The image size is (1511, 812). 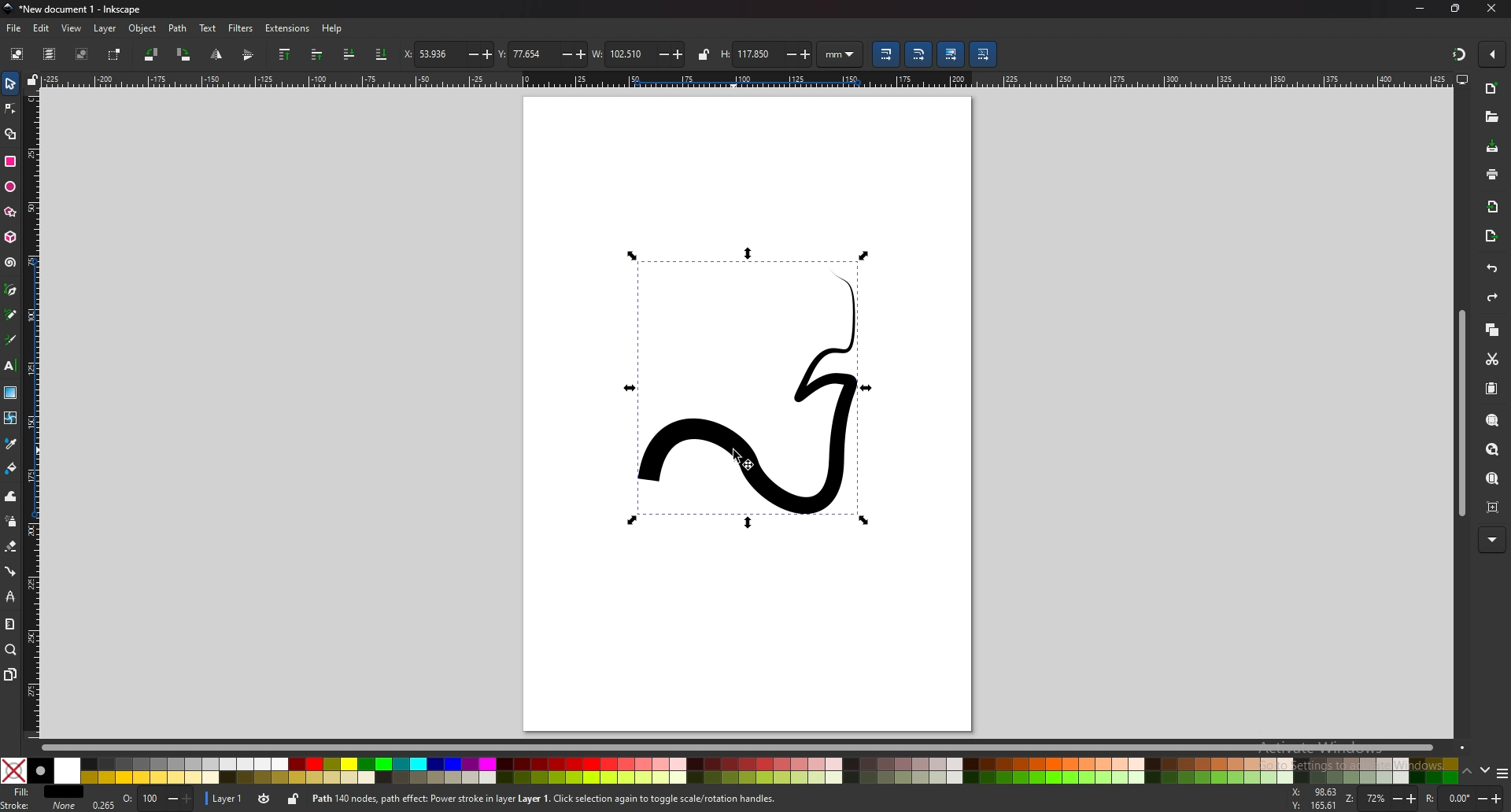 What do you see at coordinates (10, 416) in the screenshot?
I see `mesh` at bounding box center [10, 416].